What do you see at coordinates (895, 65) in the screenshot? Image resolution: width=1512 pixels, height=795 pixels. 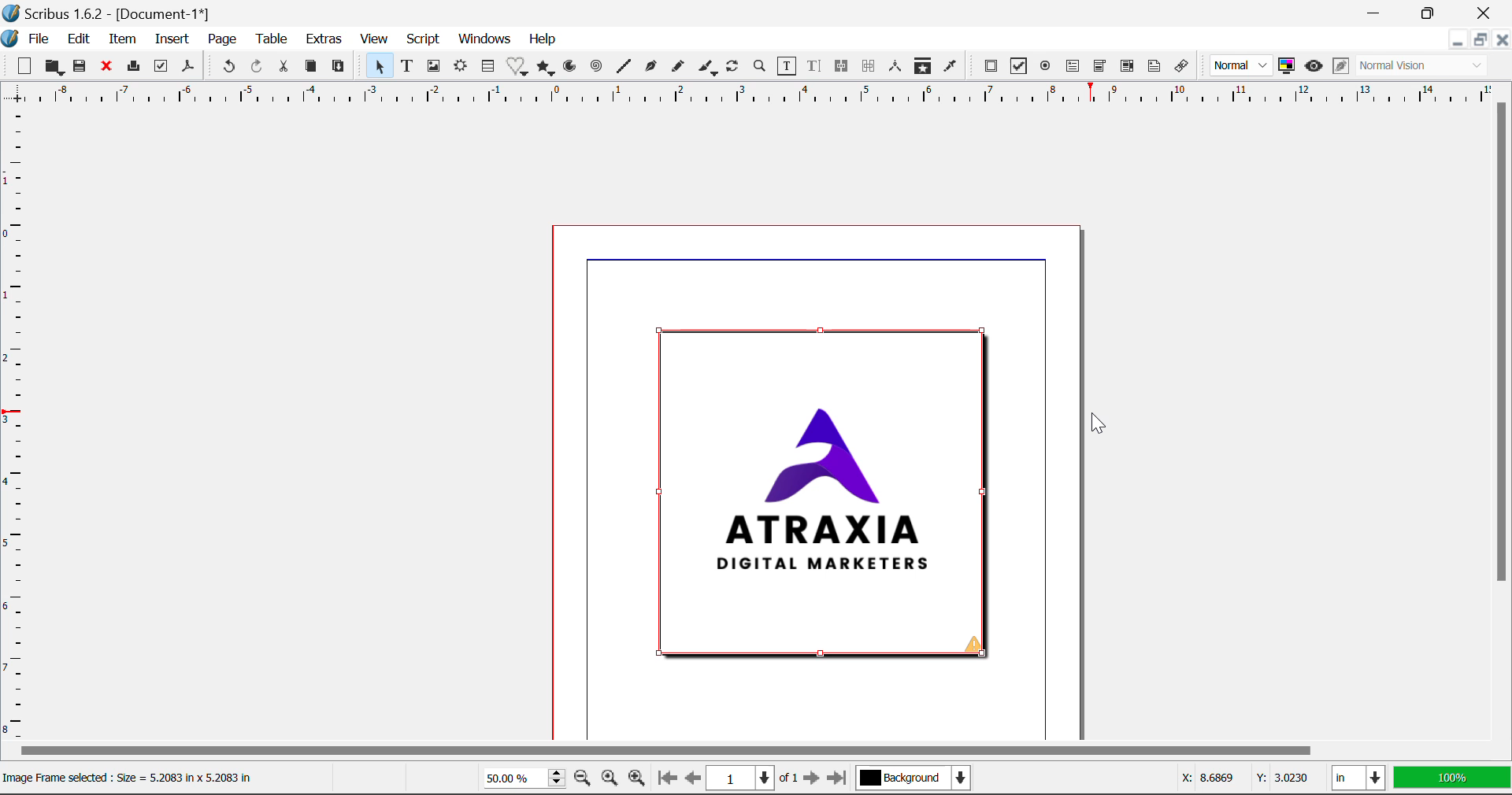 I see `Measurements` at bounding box center [895, 65].